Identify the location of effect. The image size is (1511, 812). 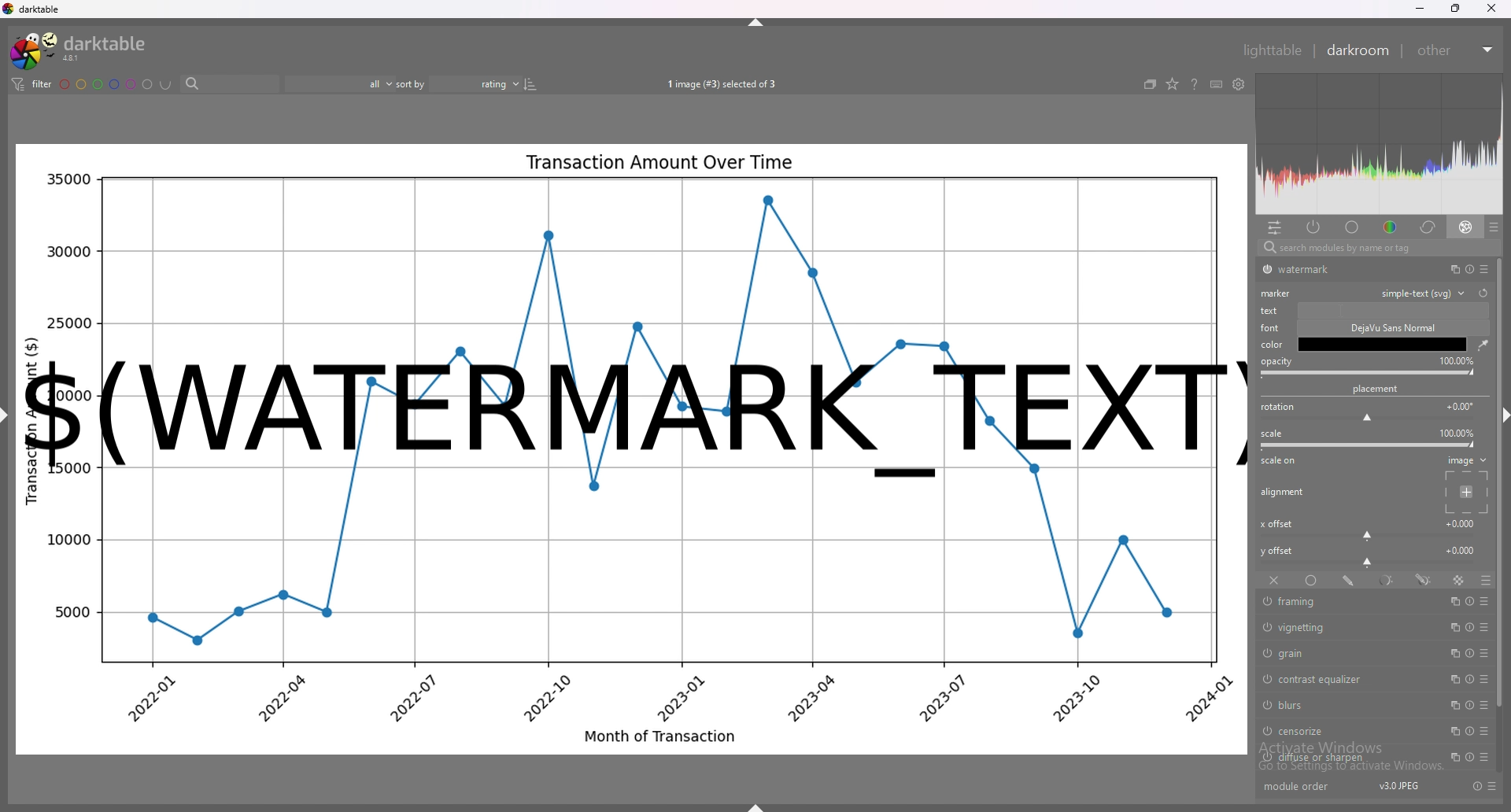
(1466, 227).